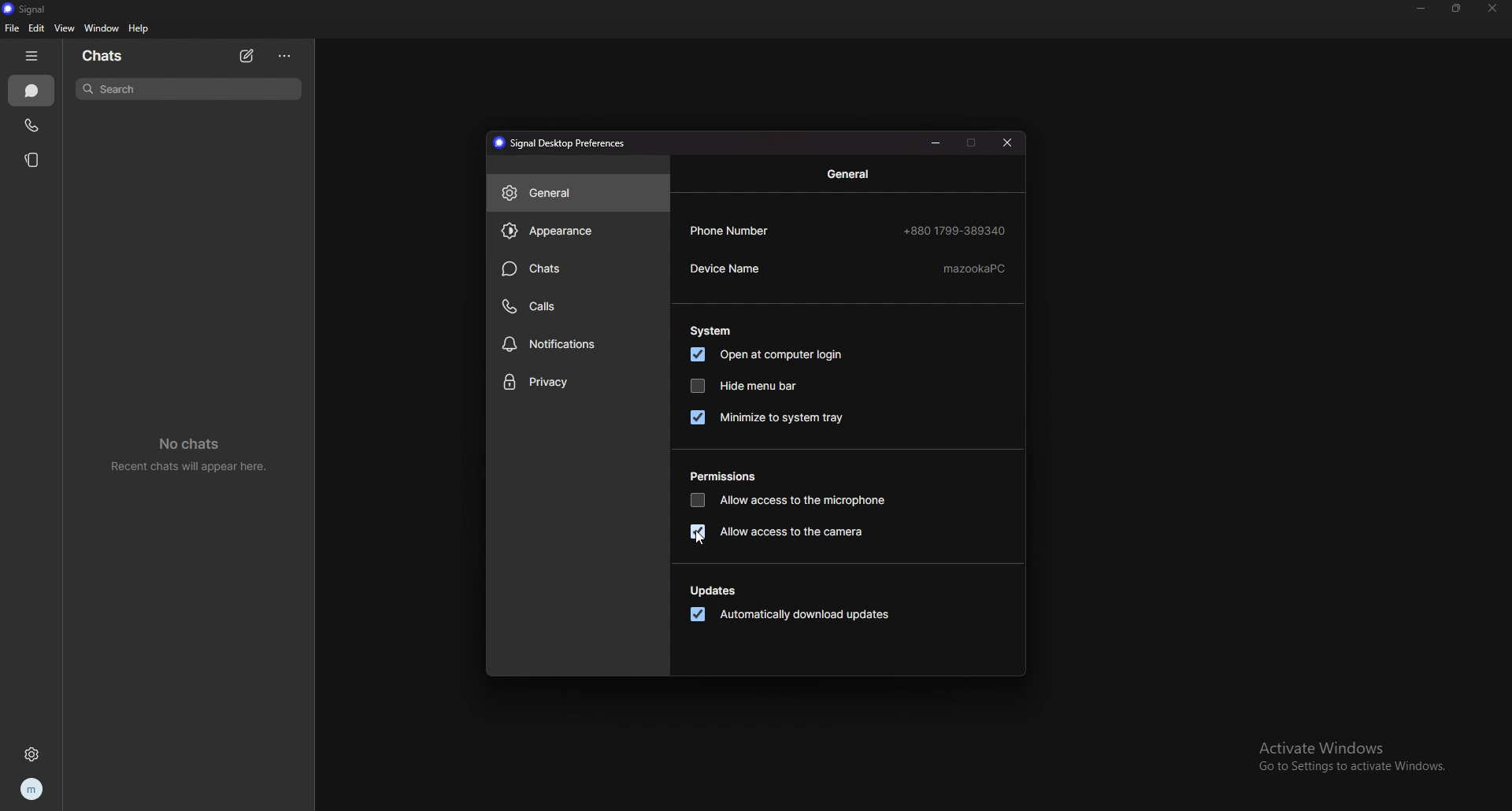  What do you see at coordinates (850, 230) in the screenshot?
I see `phone number` at bounding box center [850, 230].